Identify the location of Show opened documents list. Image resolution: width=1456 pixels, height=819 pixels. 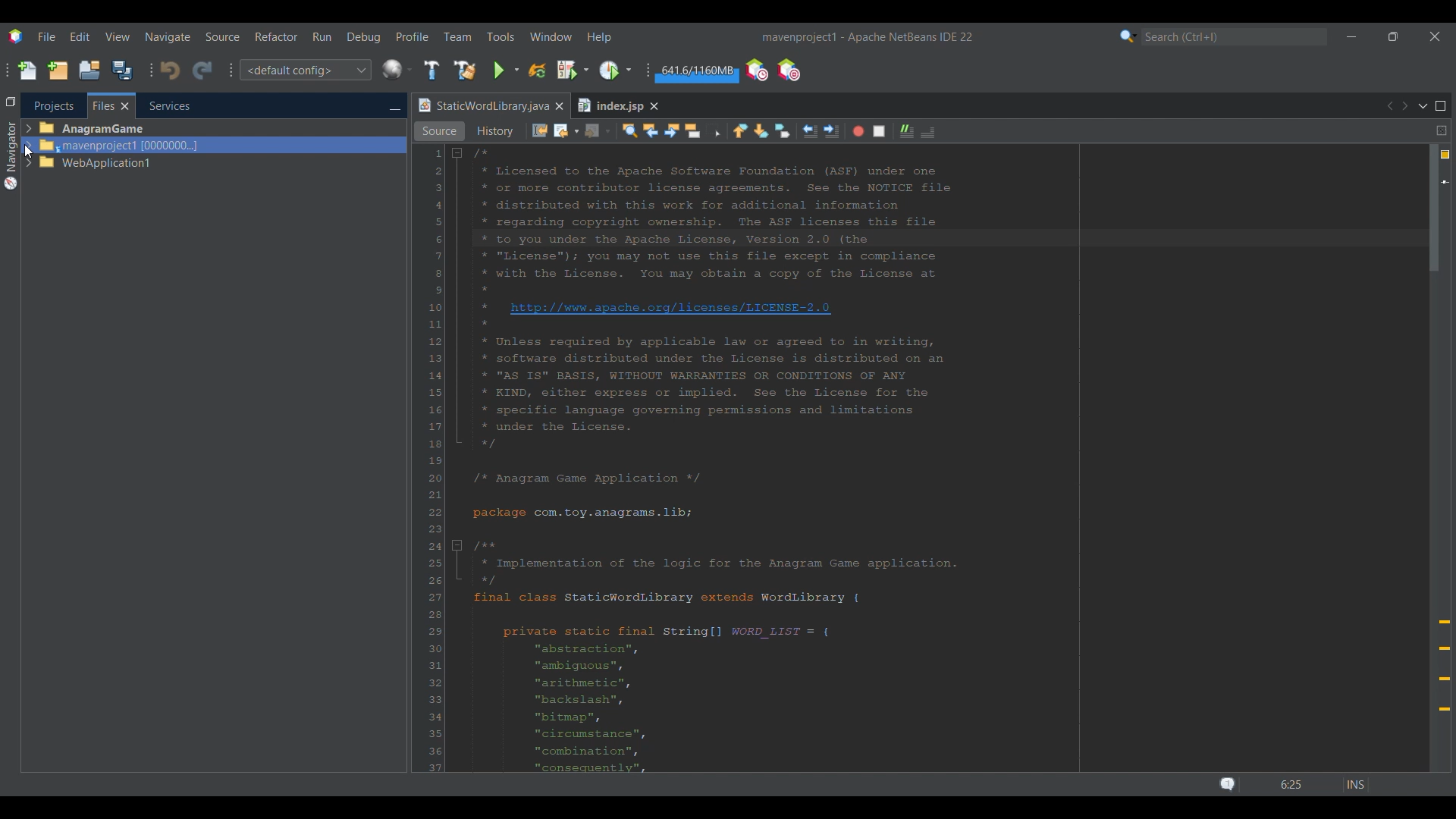
(1423, 107).